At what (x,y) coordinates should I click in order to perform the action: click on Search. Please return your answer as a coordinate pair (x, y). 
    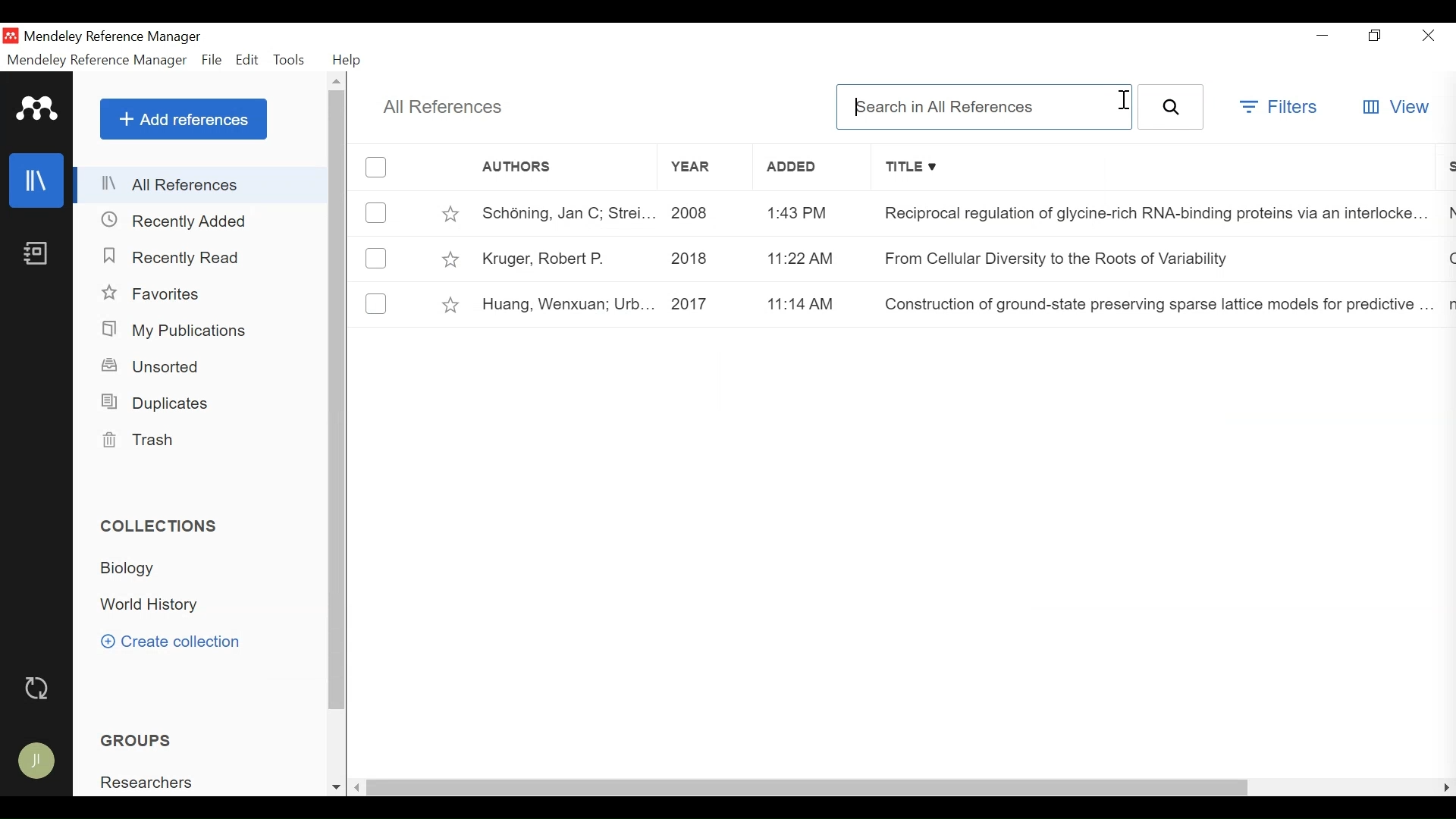
    Looking at the image, I should click on (1171, 106).